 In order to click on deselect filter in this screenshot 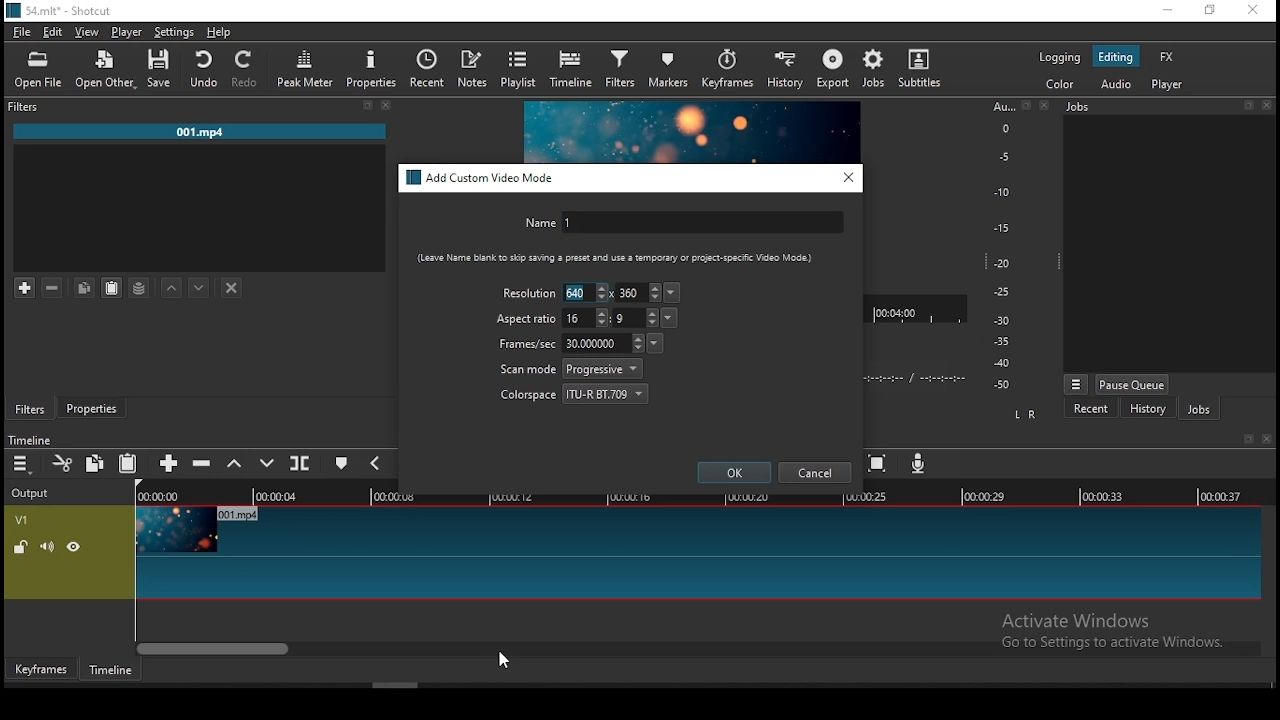, I will do `click(233, 289)`.